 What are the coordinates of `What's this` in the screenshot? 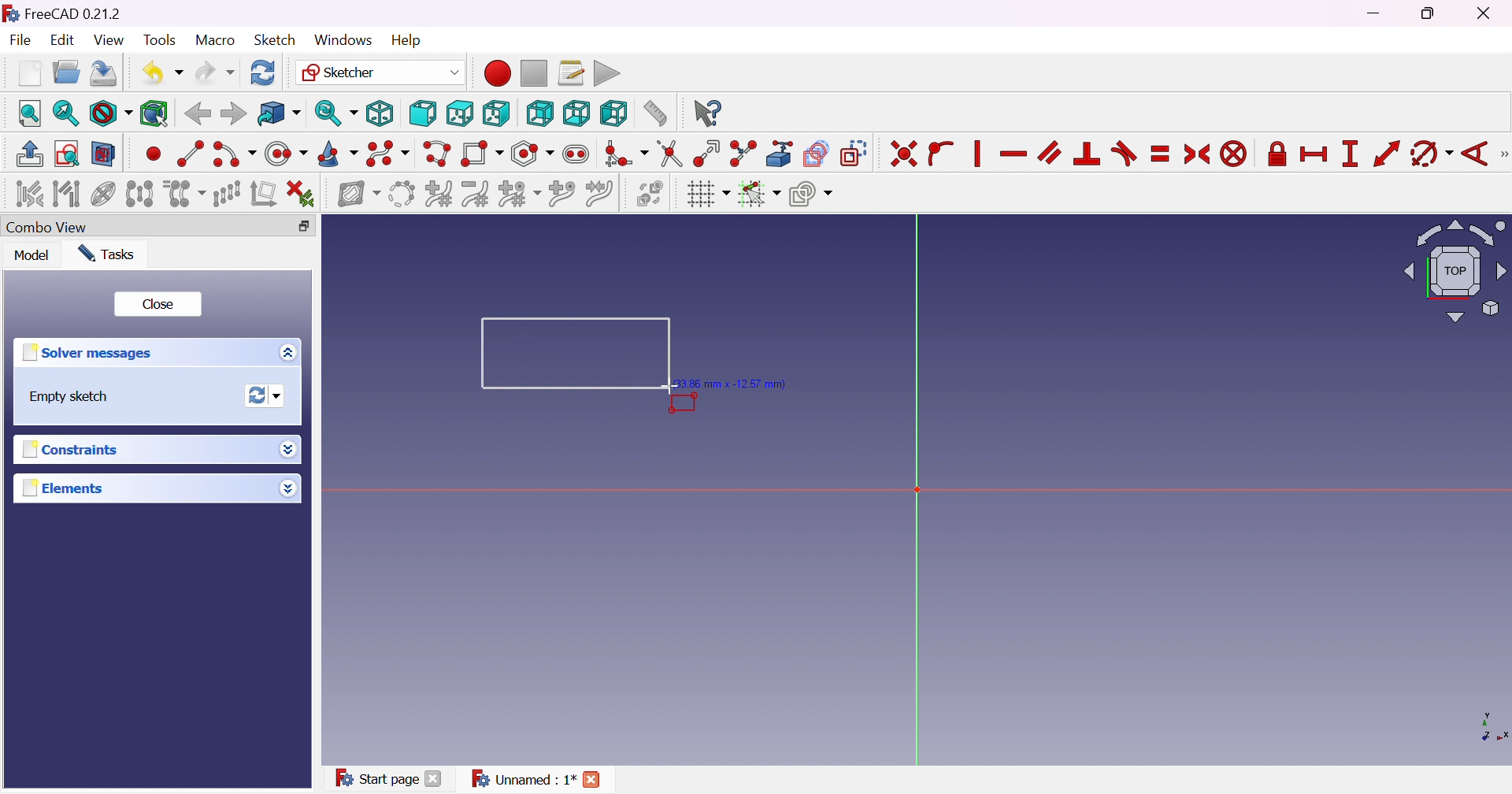 It's located at (707, 113).